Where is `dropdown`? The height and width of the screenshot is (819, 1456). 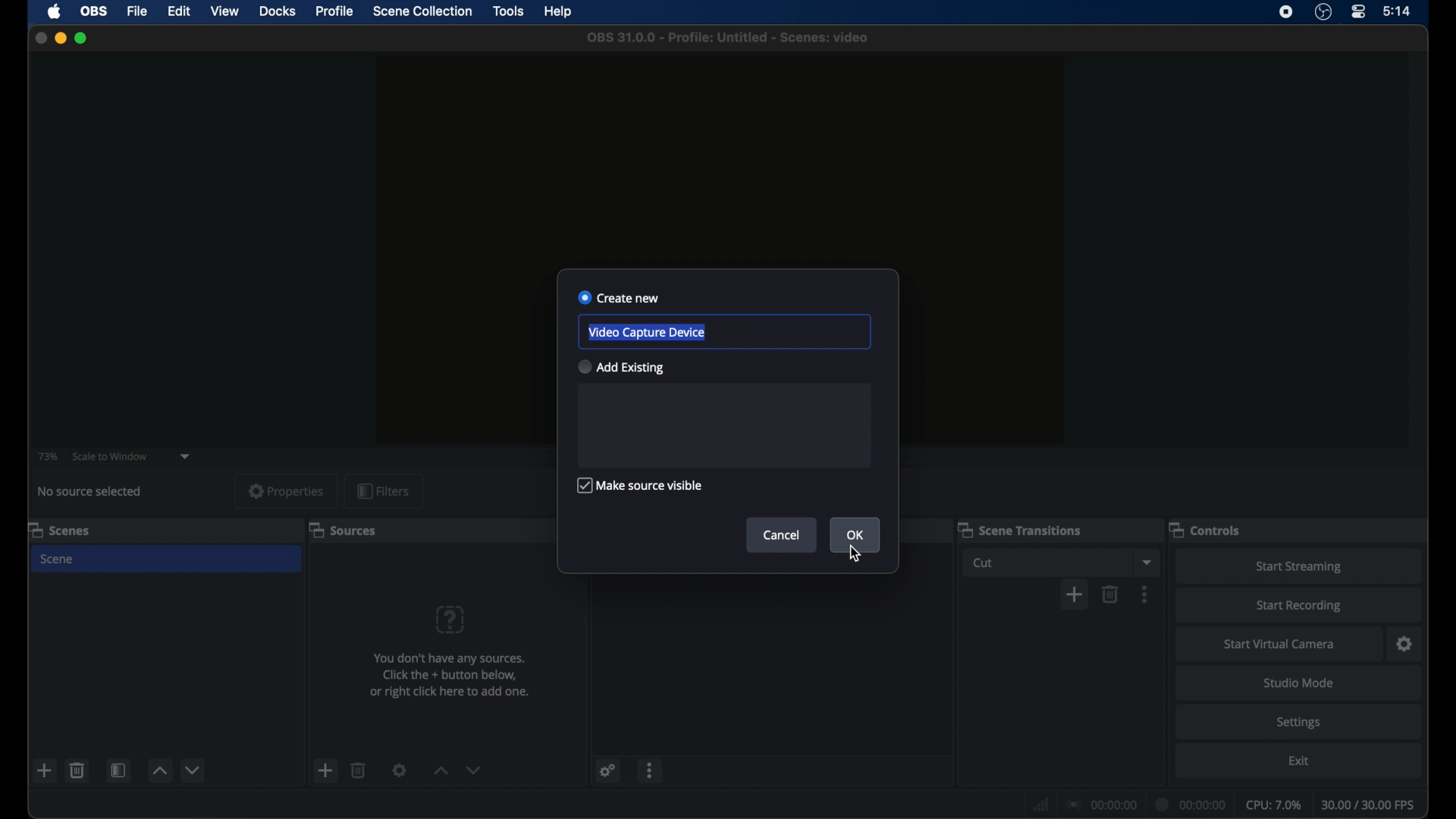 dropdown is located at coordinates (1147, 563).